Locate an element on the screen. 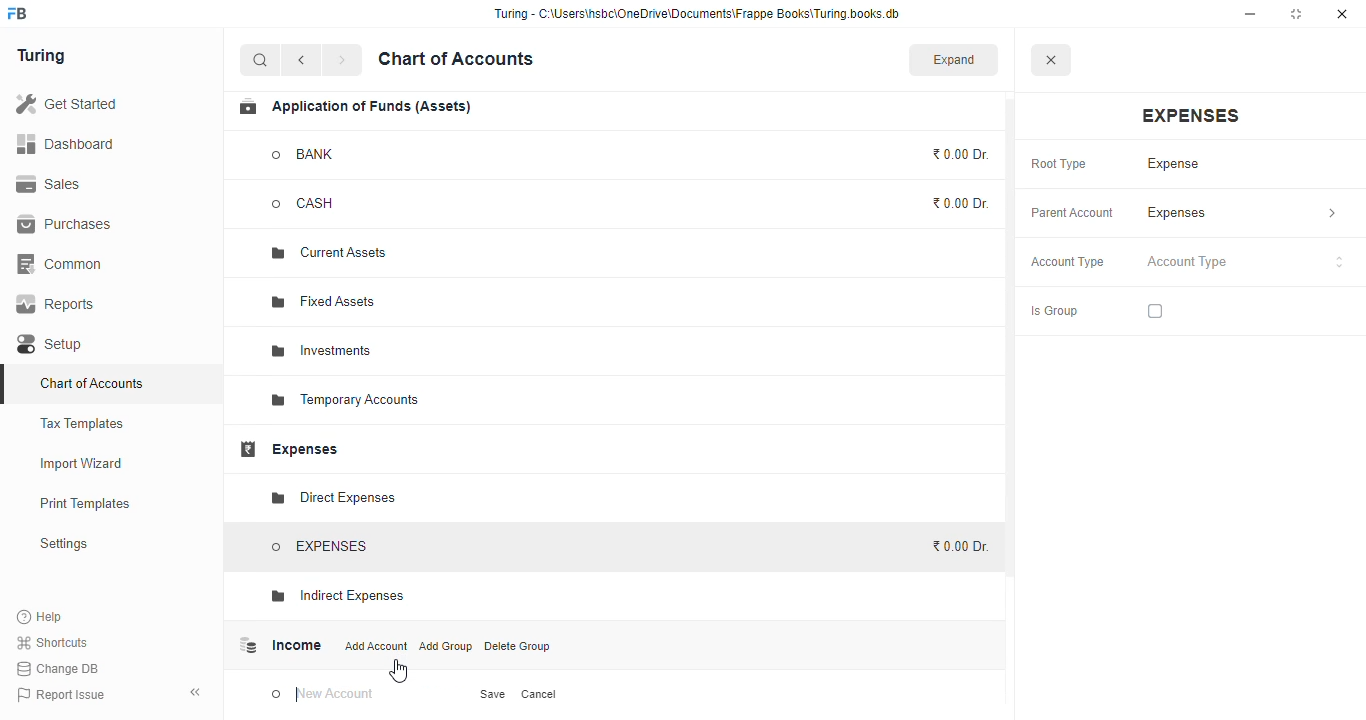 The image size is (1366, 720). get started is located at coordinates (66, 103).